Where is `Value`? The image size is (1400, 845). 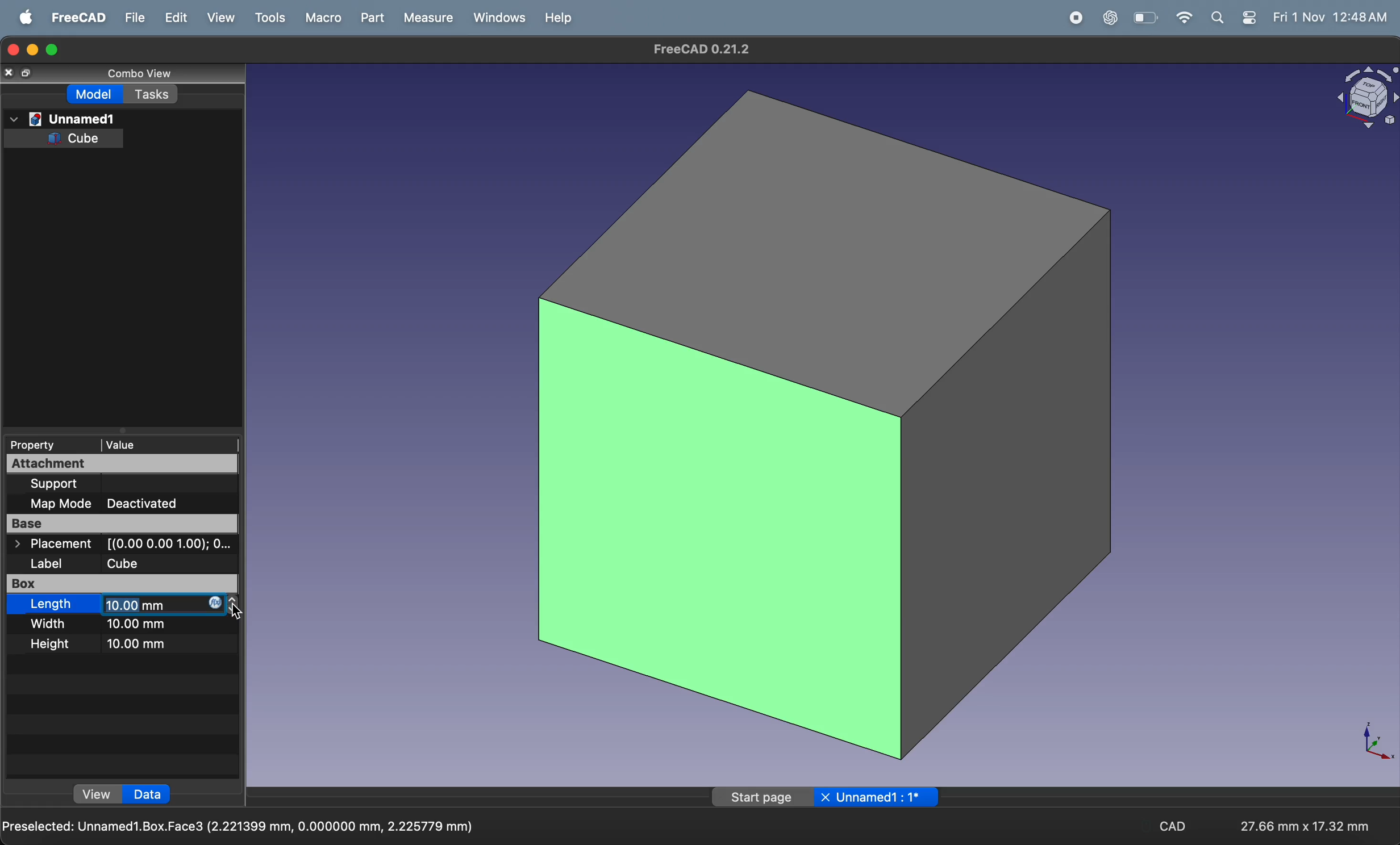
Value is located at coordinates (124, 444).